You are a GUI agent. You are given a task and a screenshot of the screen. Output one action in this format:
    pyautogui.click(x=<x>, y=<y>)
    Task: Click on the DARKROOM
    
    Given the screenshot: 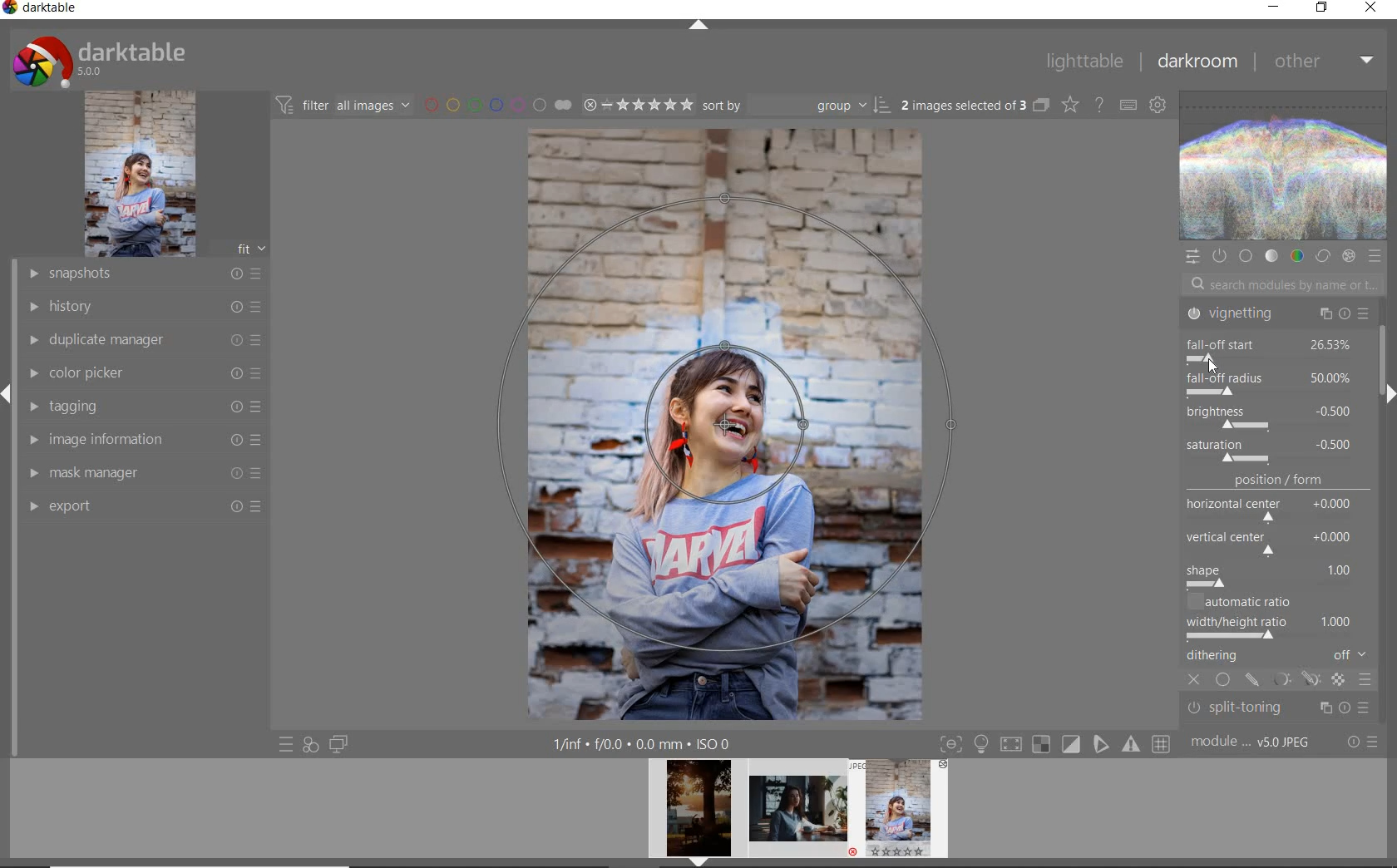 What is the action you would take?
    pyautogui.click(x=1197, y=62)
    